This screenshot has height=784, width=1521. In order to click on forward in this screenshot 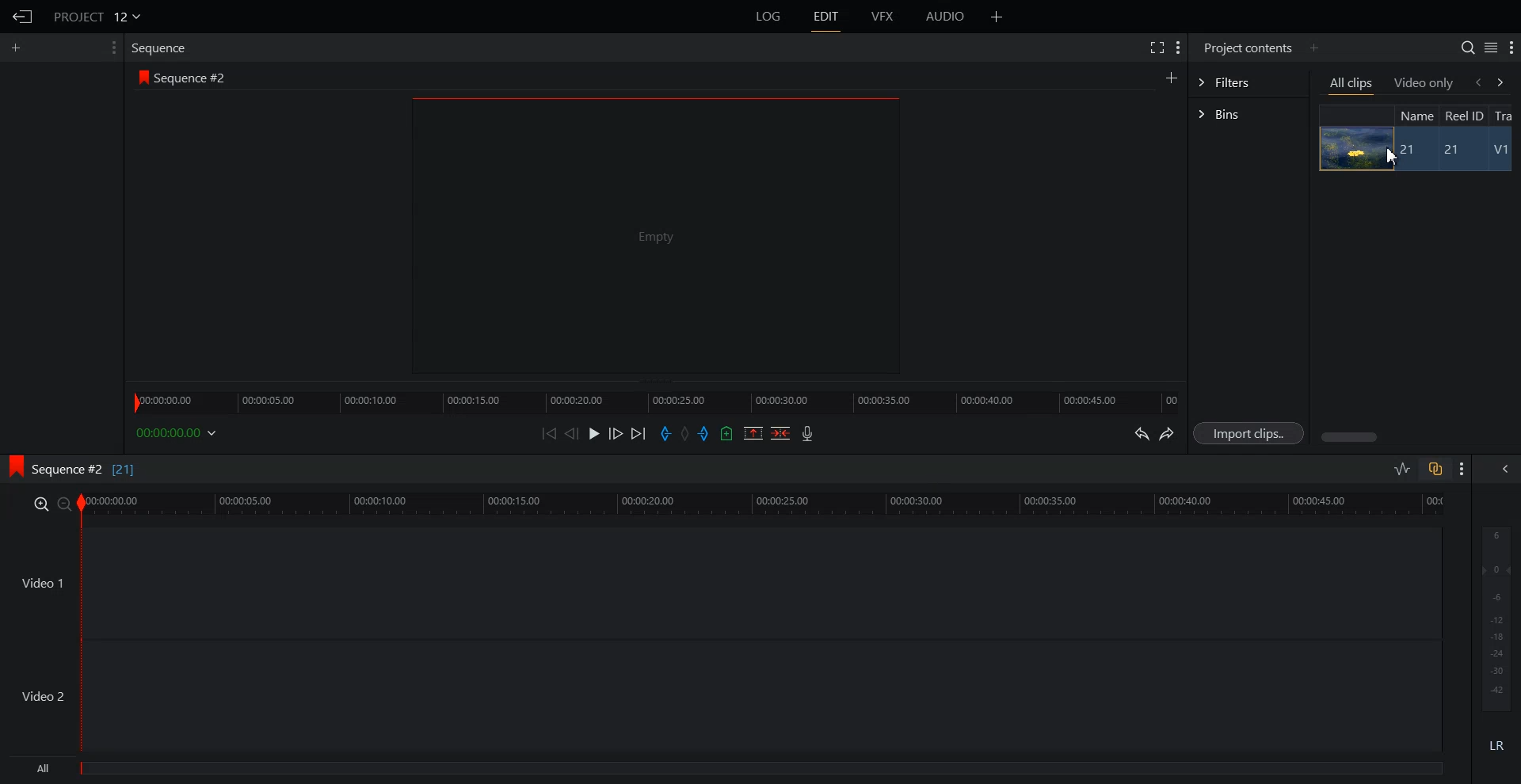, I will do `click(1504, 82)`.